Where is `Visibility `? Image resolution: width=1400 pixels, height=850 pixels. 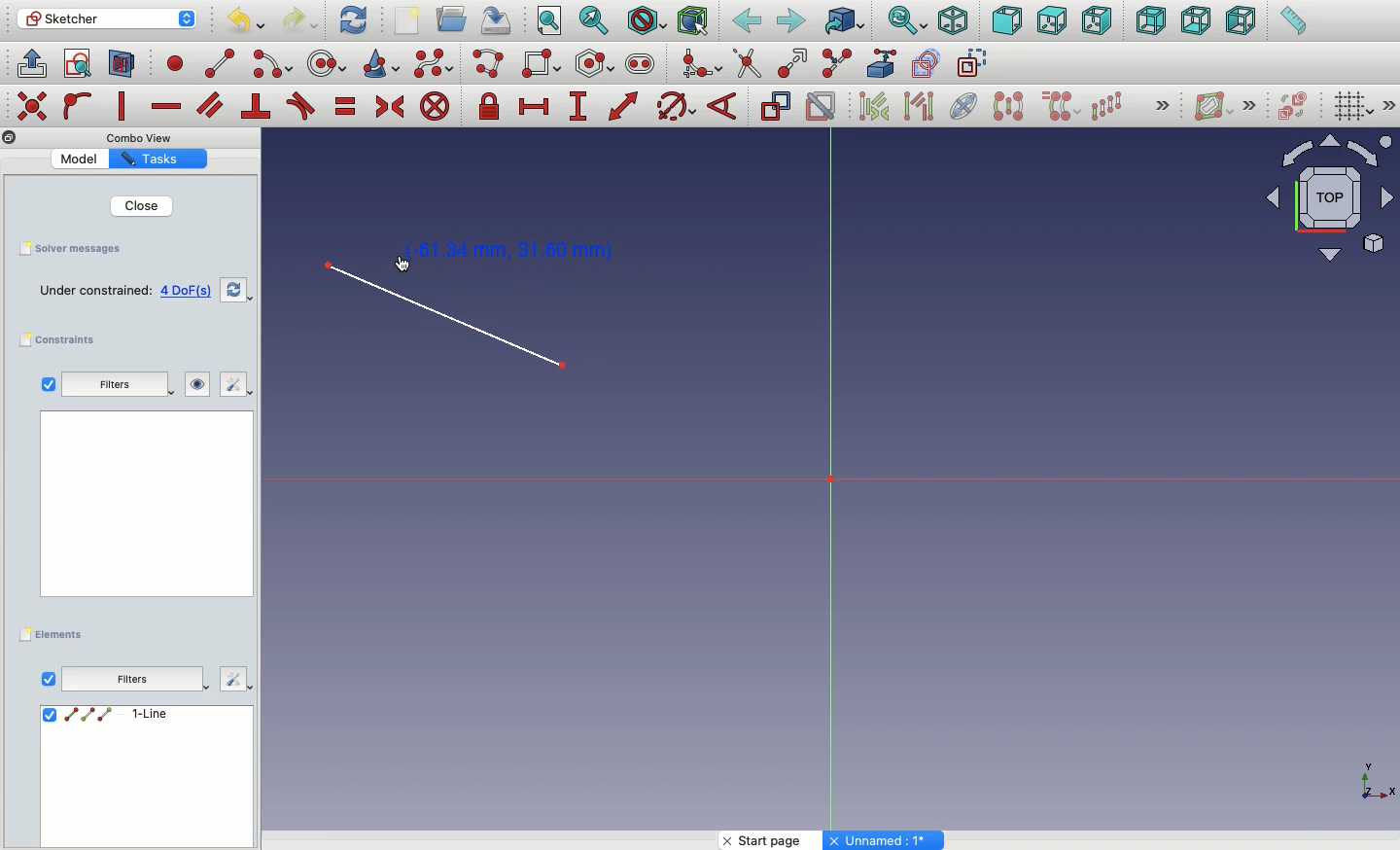
Visibility  is located at coordinates (188, 384).